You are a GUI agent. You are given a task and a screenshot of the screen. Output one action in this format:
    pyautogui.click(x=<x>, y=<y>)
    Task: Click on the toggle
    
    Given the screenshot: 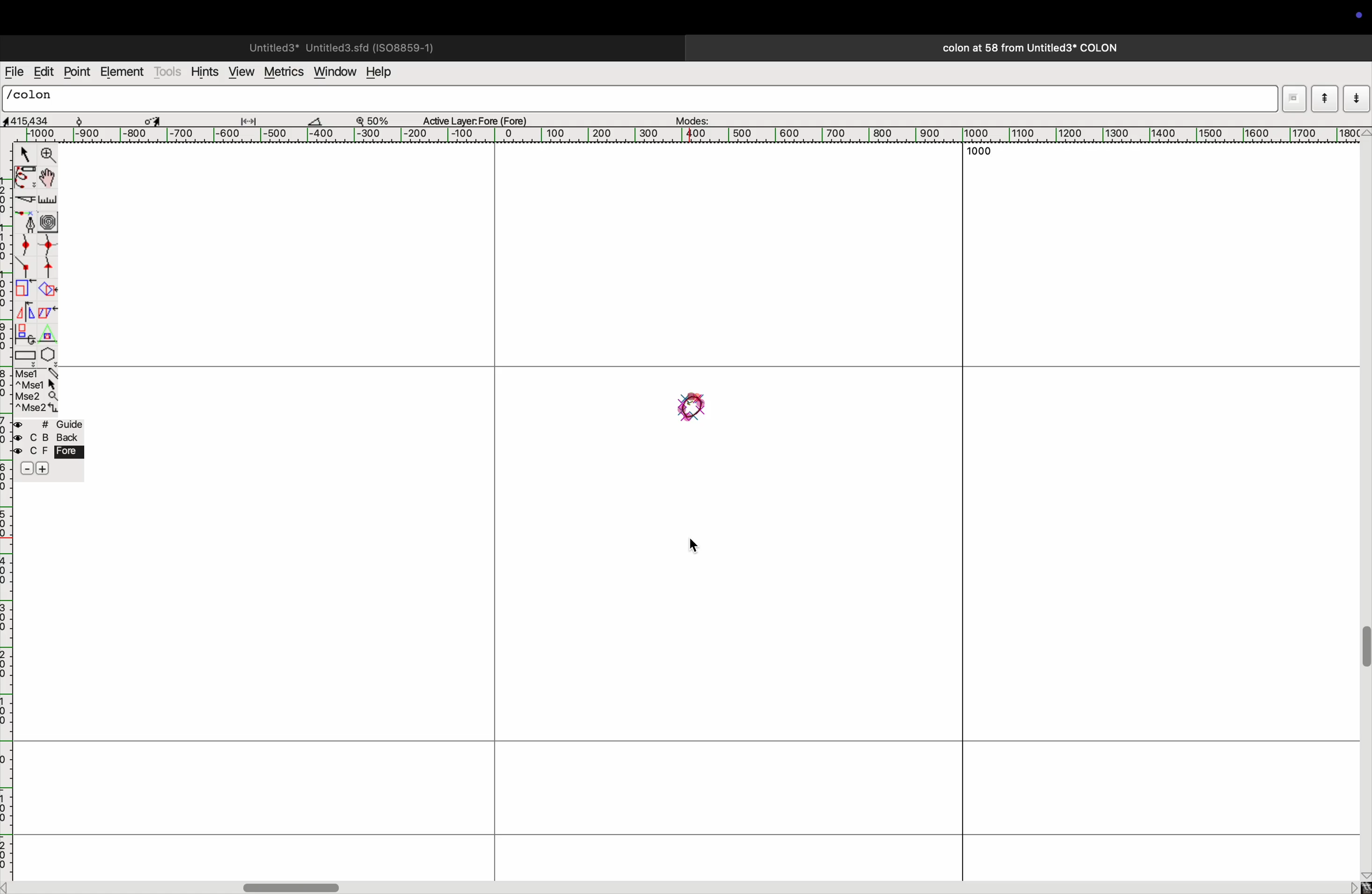 What is the action you would take?
    pyautogui.click(x=153, y=119)
    